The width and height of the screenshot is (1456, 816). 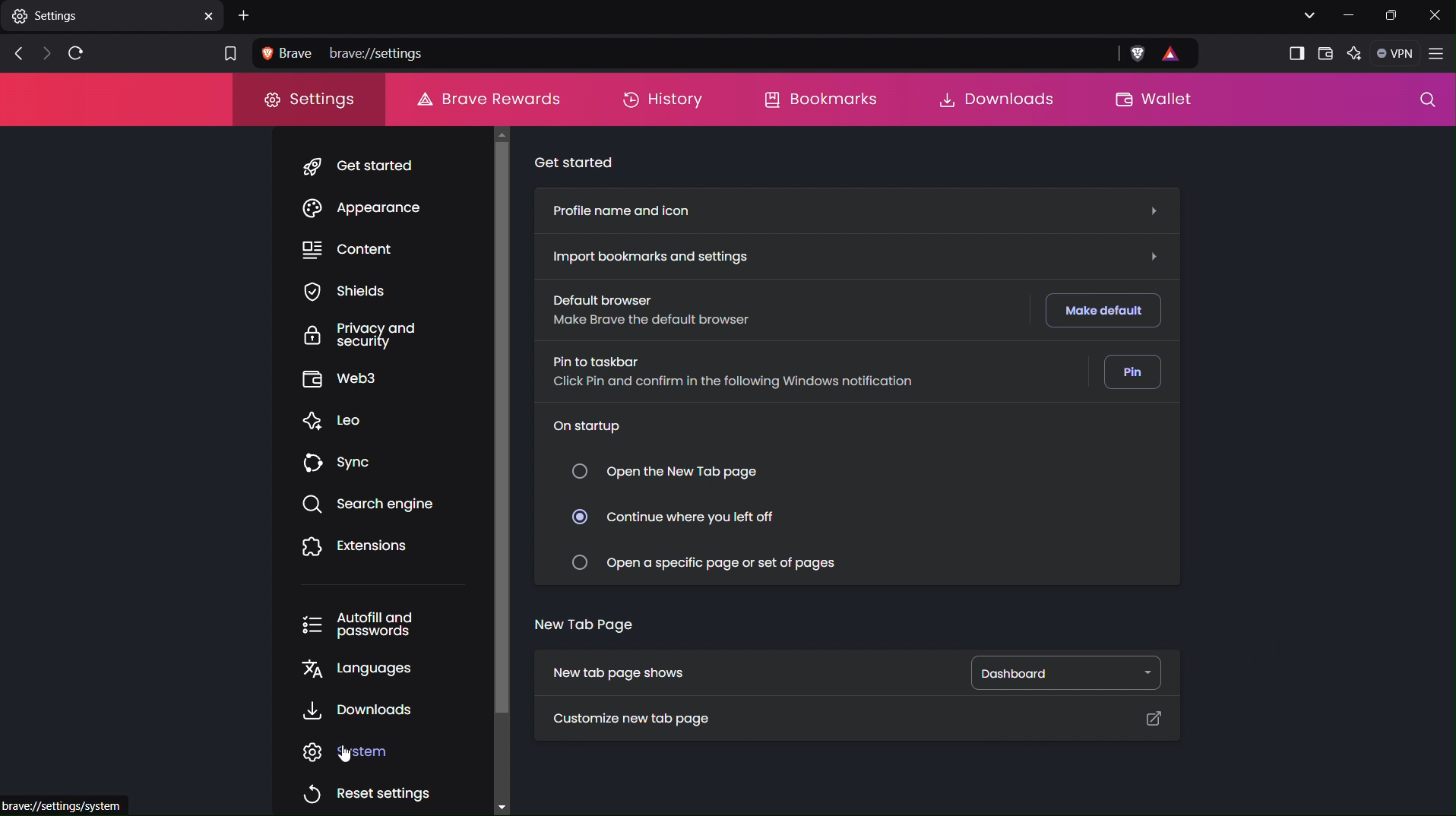 What do you see at coordinates (1151, 100) in the screenshot?
I see `Wallet` at bounding box center [1151, 100].